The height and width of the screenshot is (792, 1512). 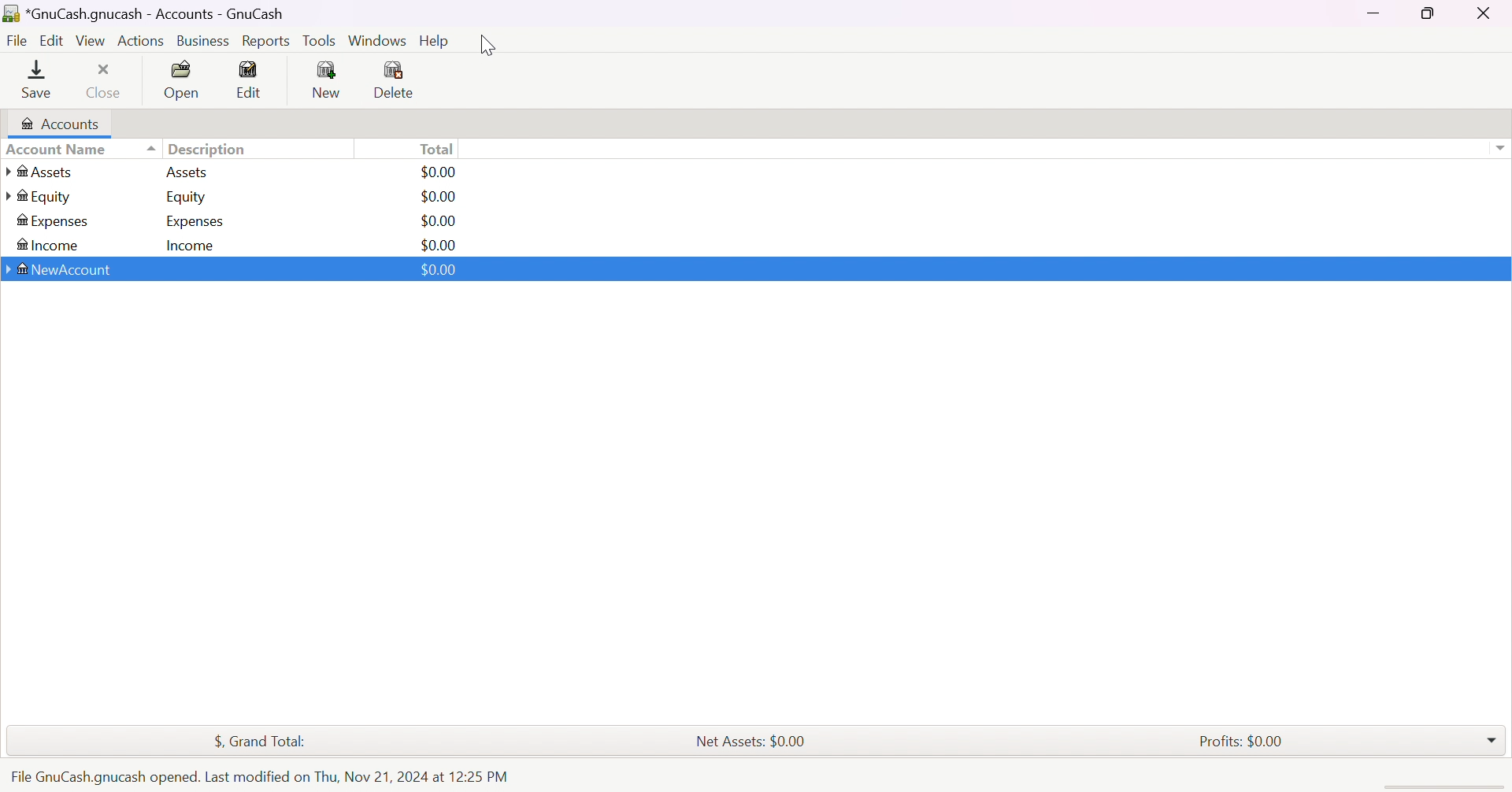 I want to click on $0.00, so click(x=440, y=221).